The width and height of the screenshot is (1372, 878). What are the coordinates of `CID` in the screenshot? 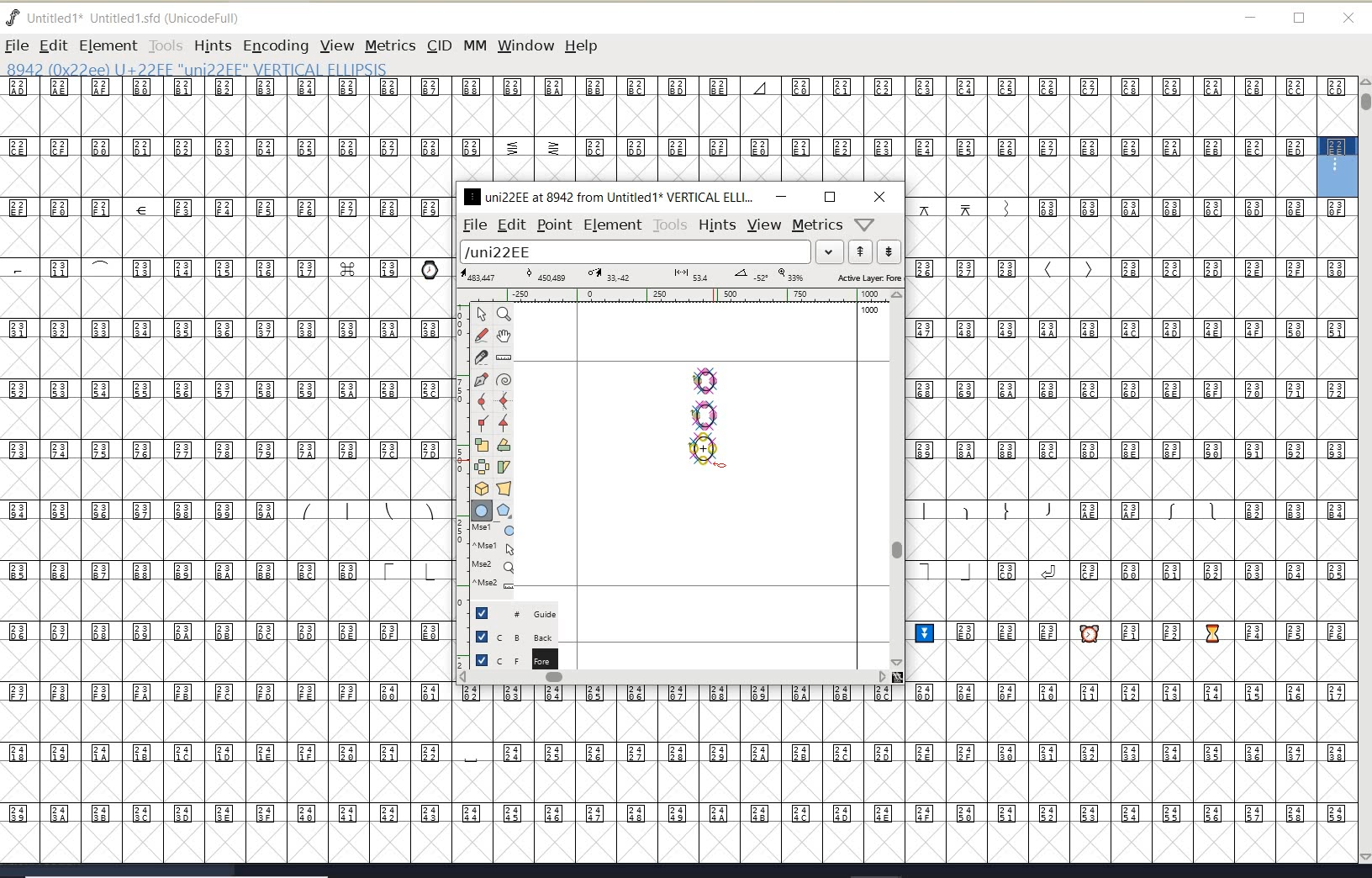 It's located at (438, 45).